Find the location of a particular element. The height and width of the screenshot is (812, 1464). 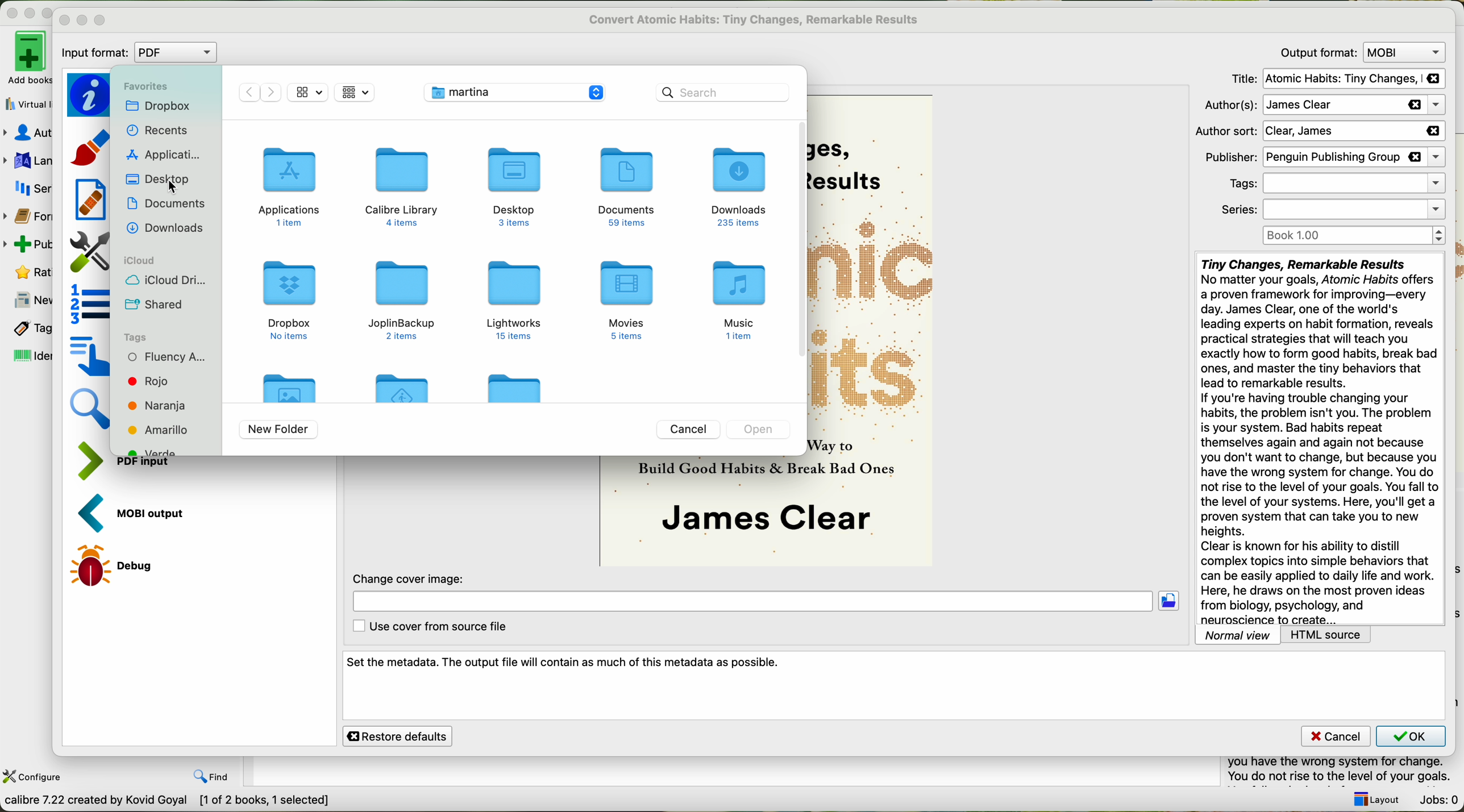

news is located at coordinates (27, 301).